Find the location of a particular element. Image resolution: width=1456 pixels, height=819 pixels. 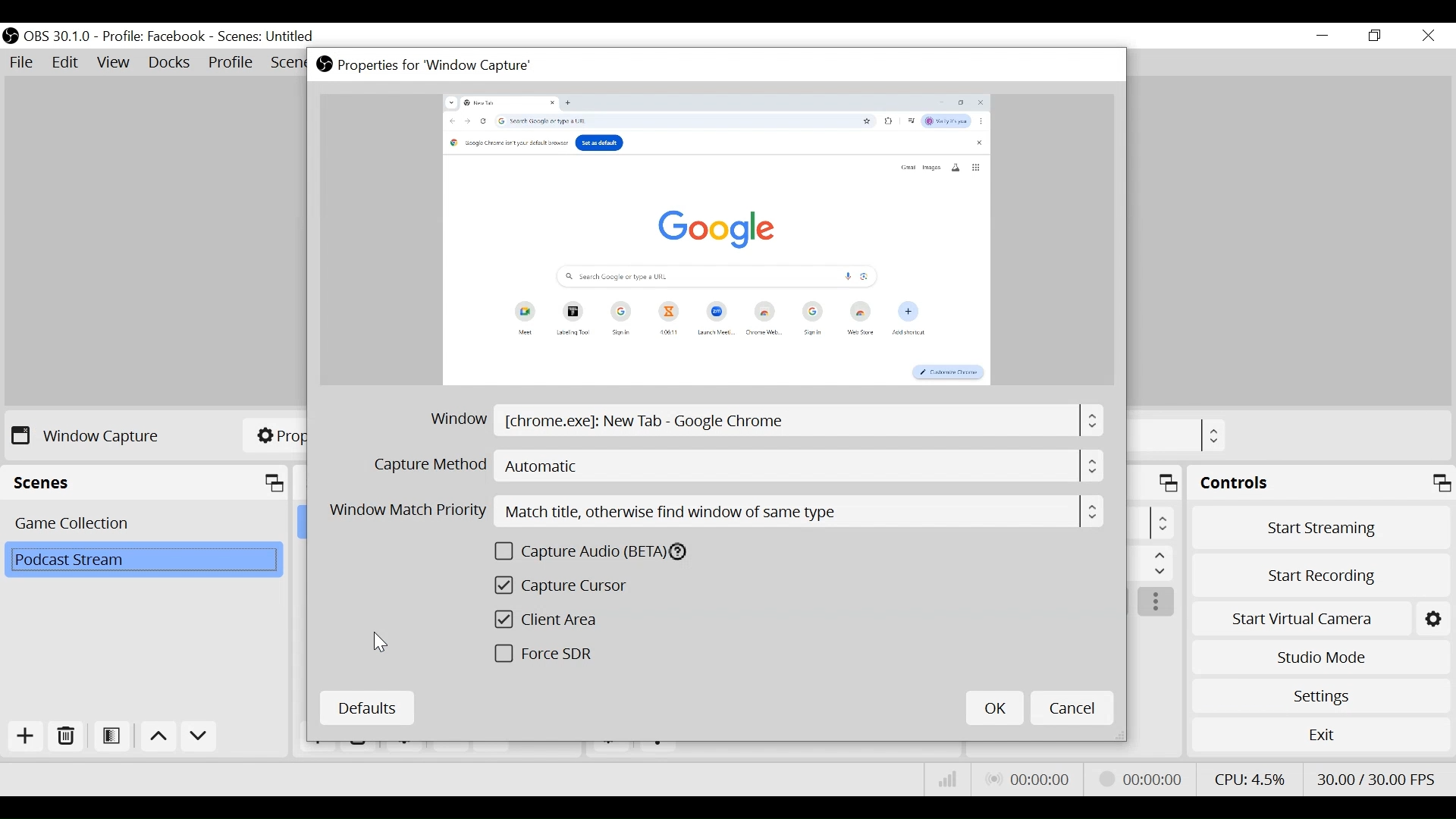

Cancel is located at coordinates (1072, 708).